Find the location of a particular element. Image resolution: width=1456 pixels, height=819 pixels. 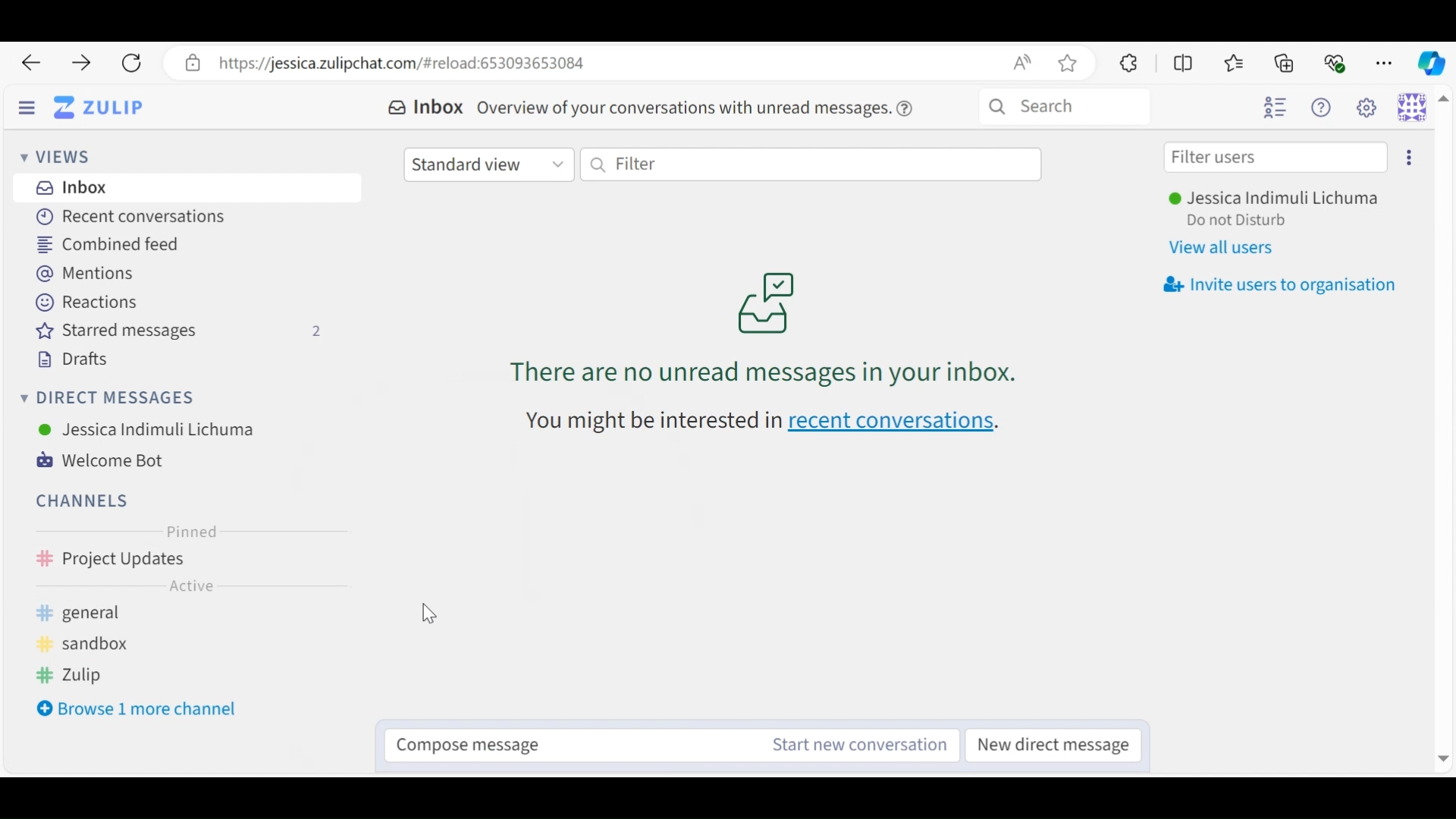

Channel is located at coordinates (175, 560).